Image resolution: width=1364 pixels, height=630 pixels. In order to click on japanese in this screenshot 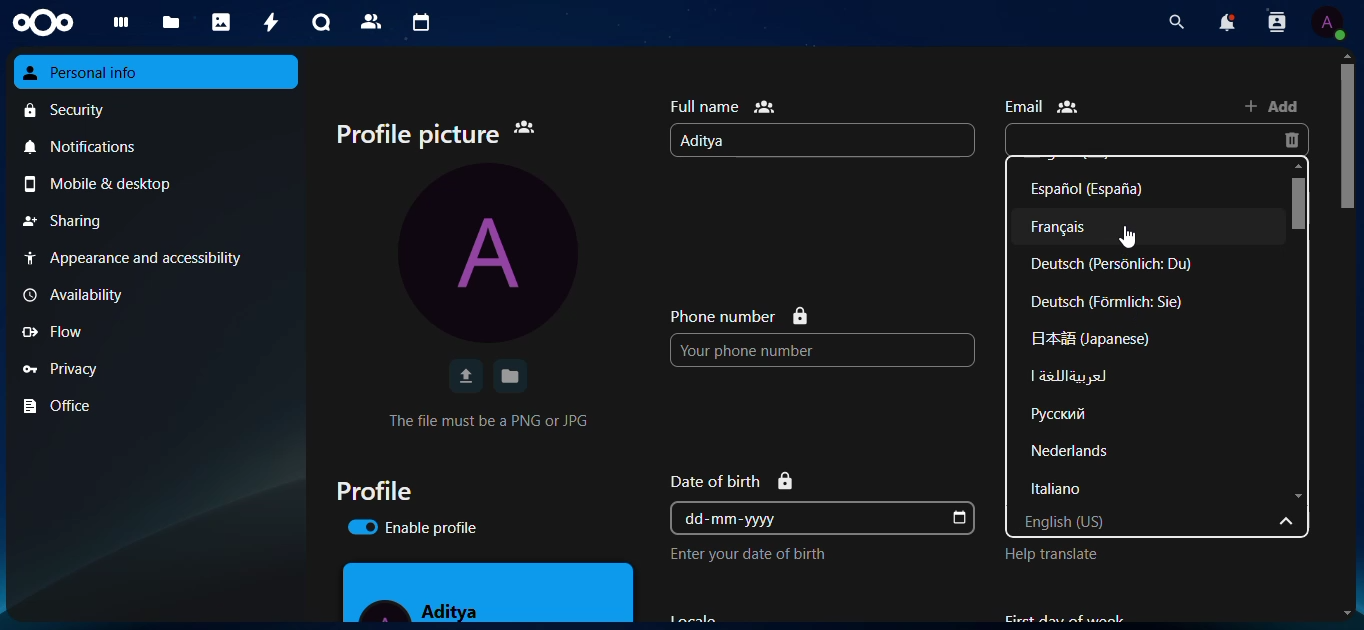, I will do `click(1089, 338)`.